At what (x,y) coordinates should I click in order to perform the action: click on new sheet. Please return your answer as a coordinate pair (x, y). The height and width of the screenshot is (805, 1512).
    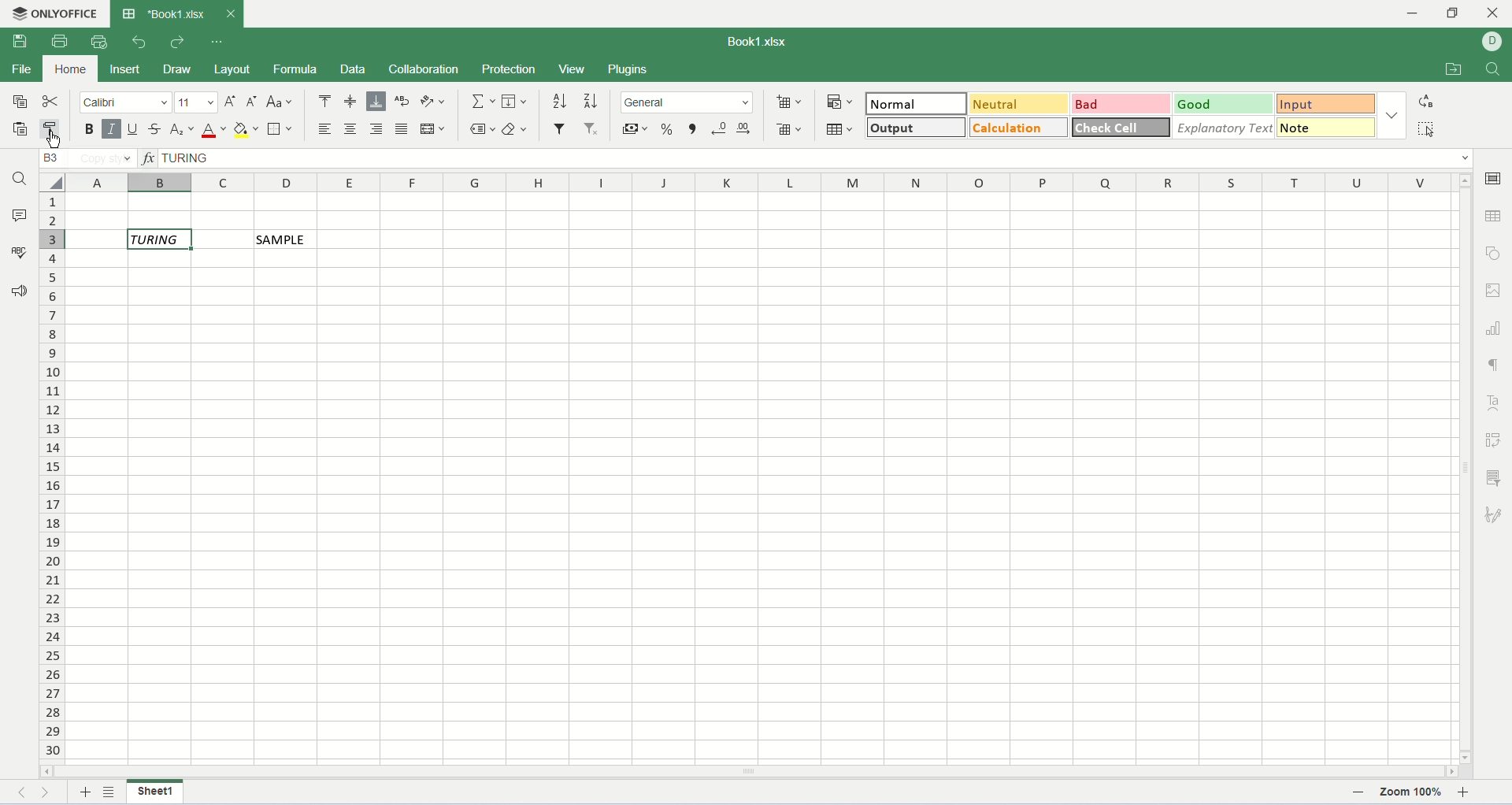
    Looking at the image, I should click on (86, 794).